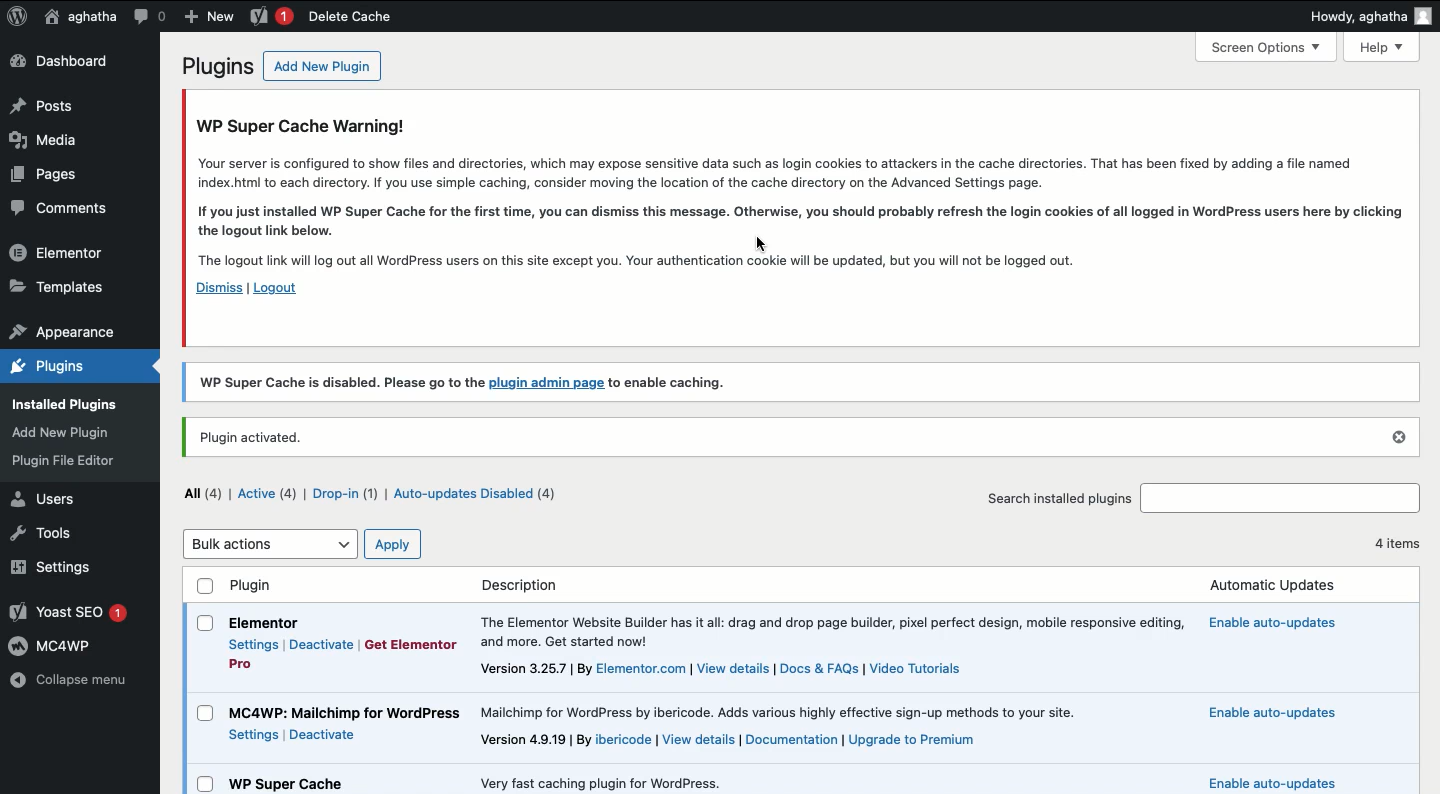 The width and height of the screenshot is (1440, 794). I want to click on Enable auto updates, so click(1286, 622).